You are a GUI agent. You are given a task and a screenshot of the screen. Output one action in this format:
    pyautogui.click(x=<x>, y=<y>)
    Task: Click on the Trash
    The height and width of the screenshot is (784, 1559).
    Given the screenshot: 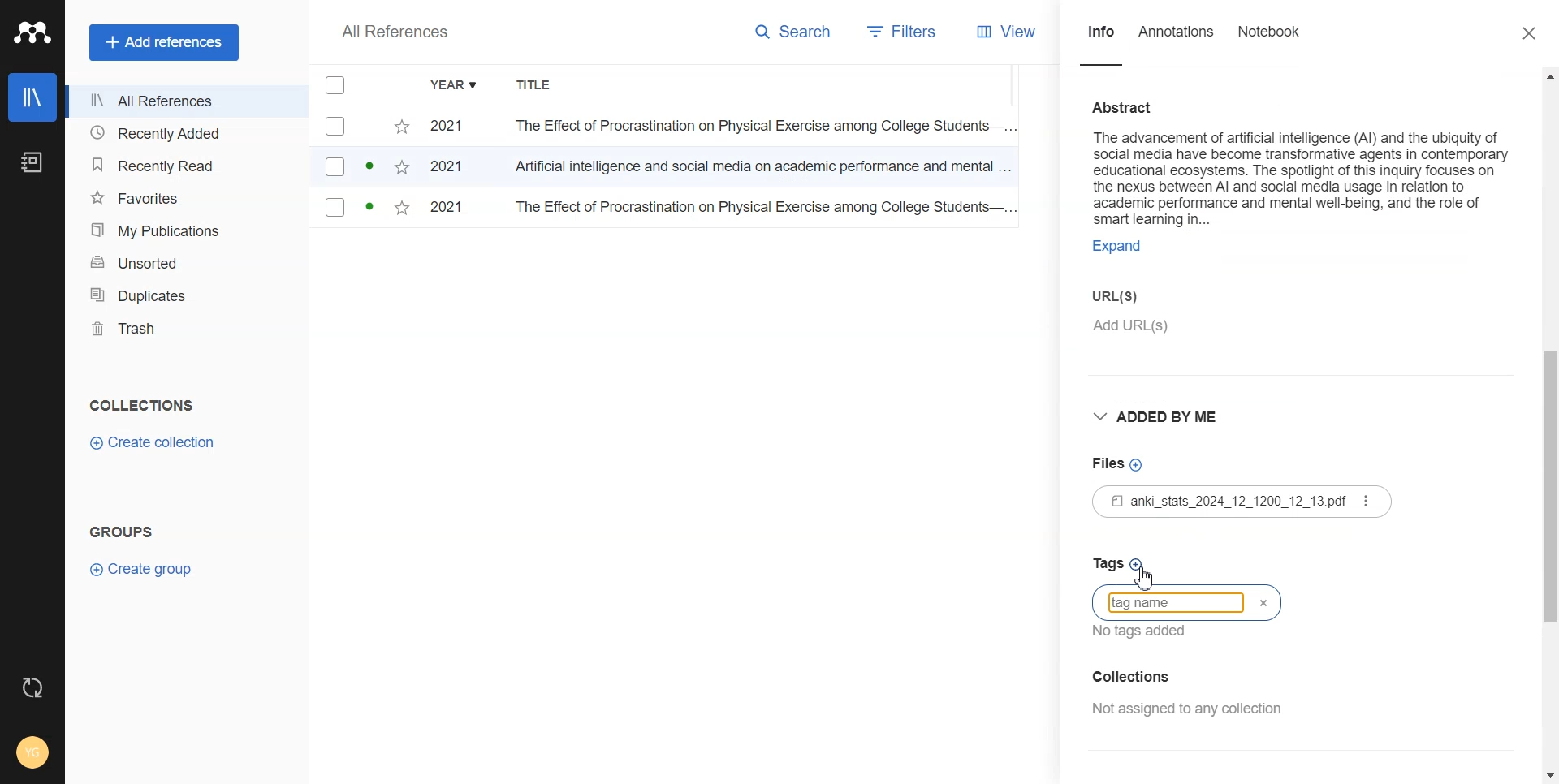 What is the action you would take?
    pyautogui.click(x=186, y=329)
    